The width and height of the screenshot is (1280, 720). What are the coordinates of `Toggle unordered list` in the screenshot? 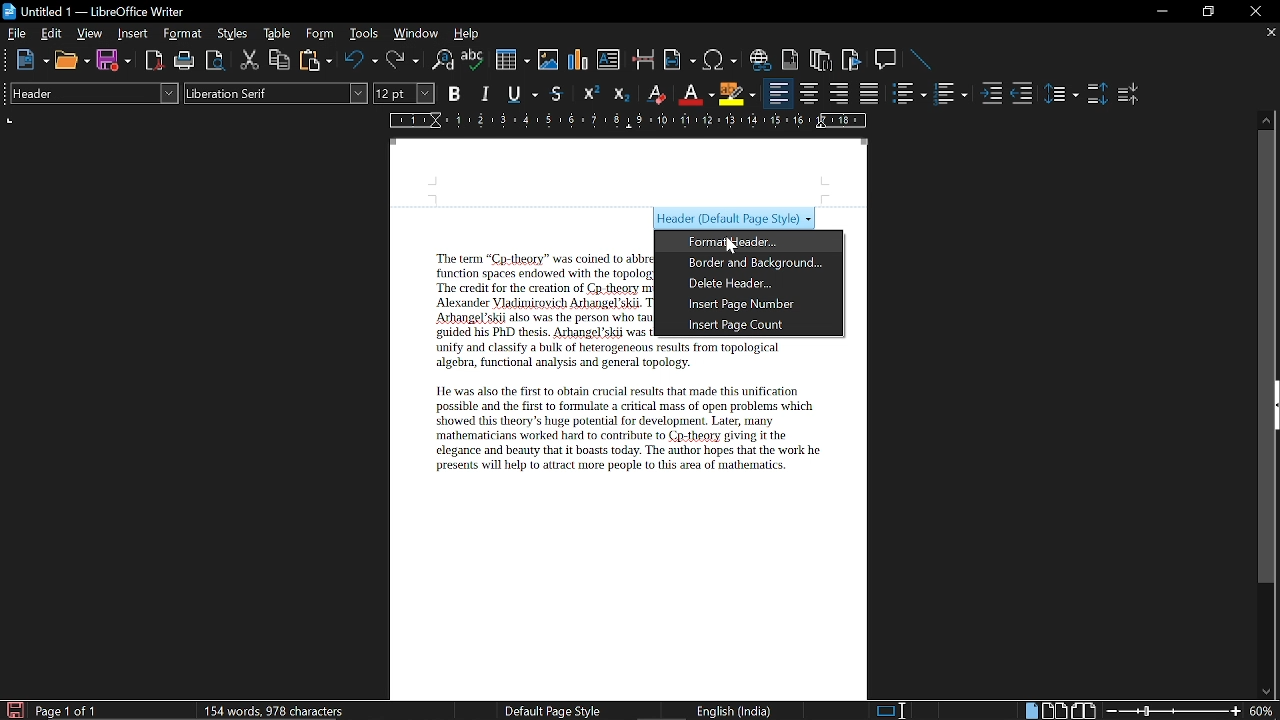 It's located at (949, 94).